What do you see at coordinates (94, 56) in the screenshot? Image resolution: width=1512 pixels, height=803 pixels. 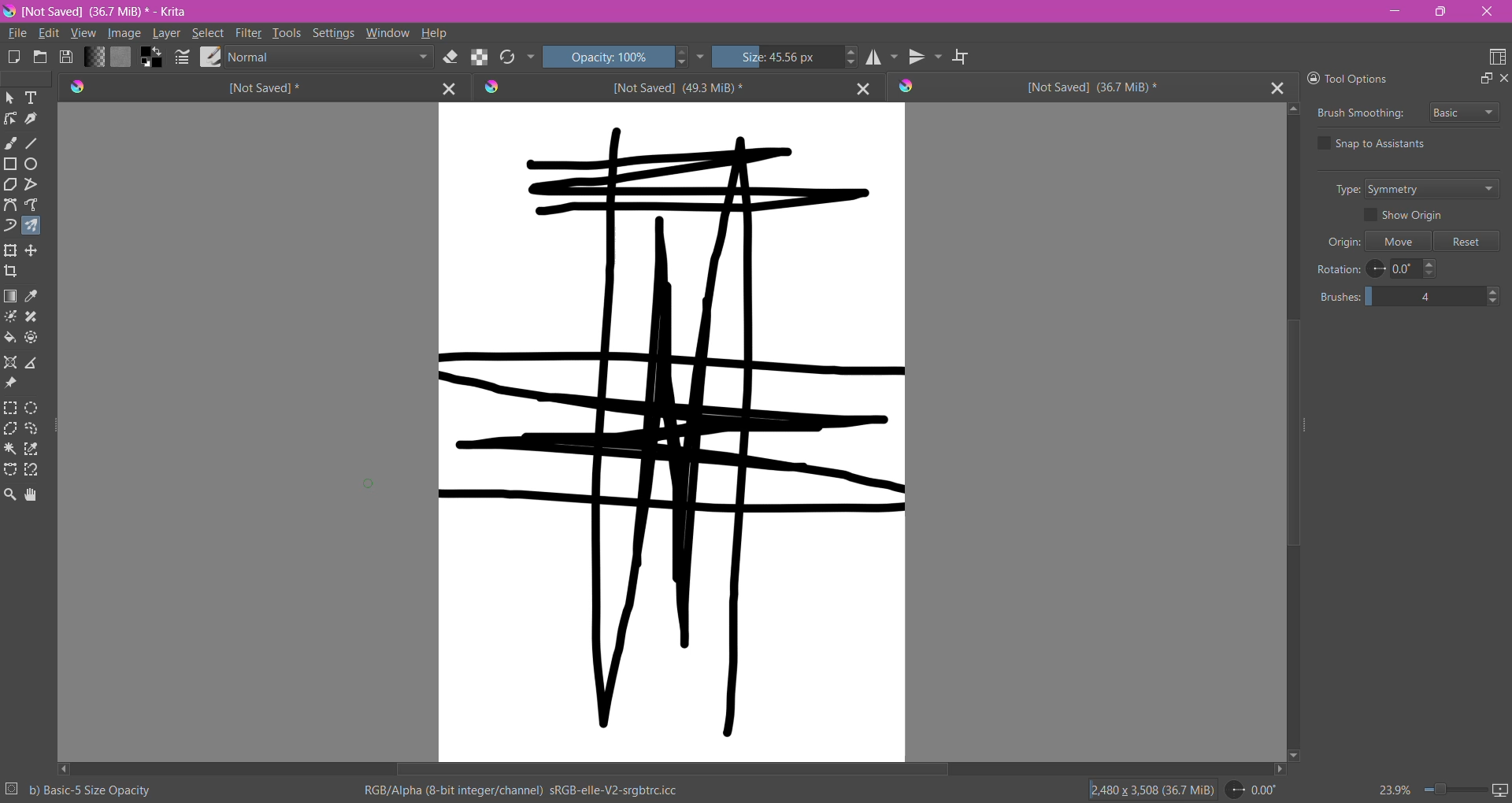 I see `Fill Gradient` at bounding box center [94, 56].